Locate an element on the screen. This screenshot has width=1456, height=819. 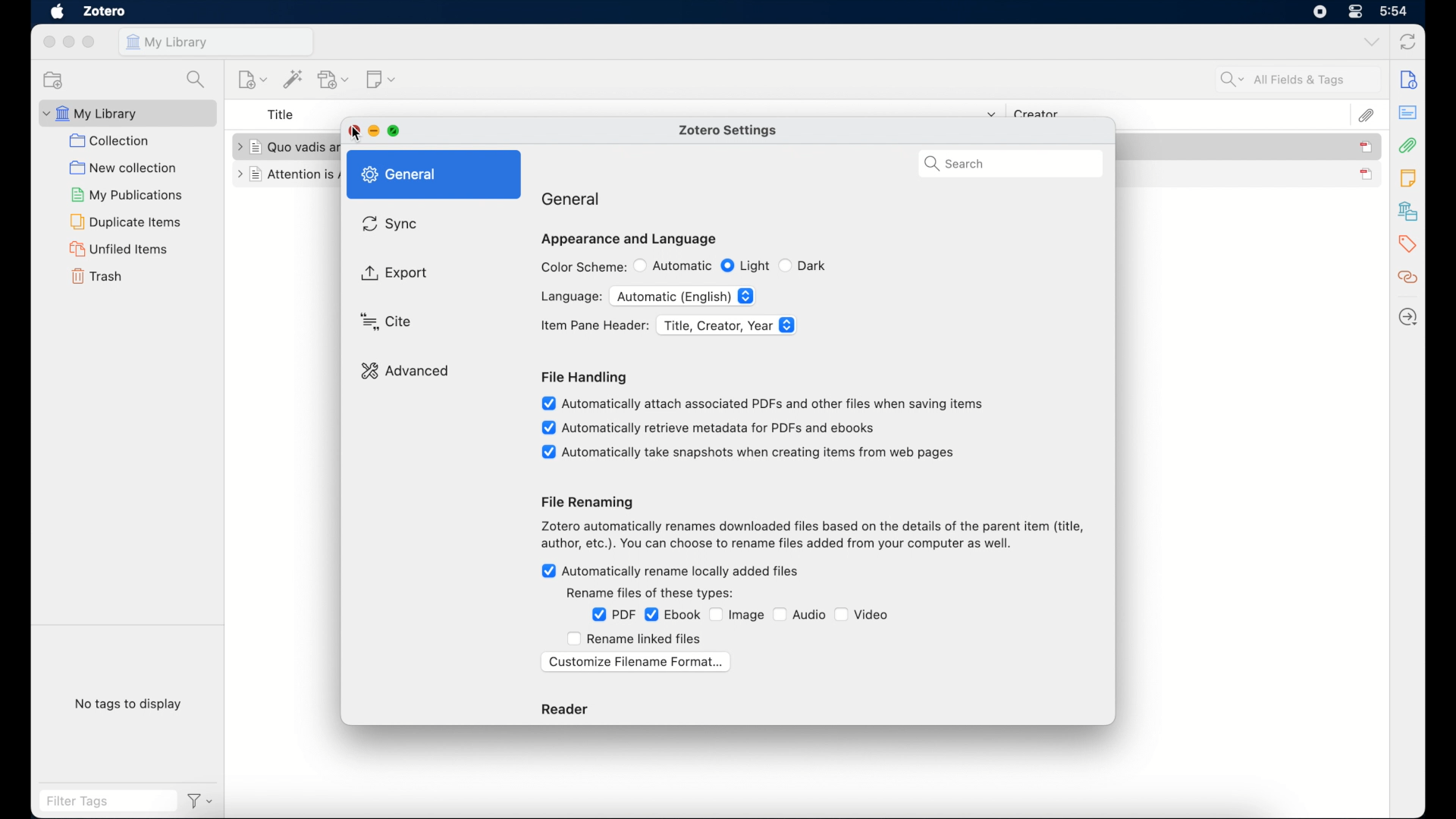
pdf is located at coordinates (615, 614).